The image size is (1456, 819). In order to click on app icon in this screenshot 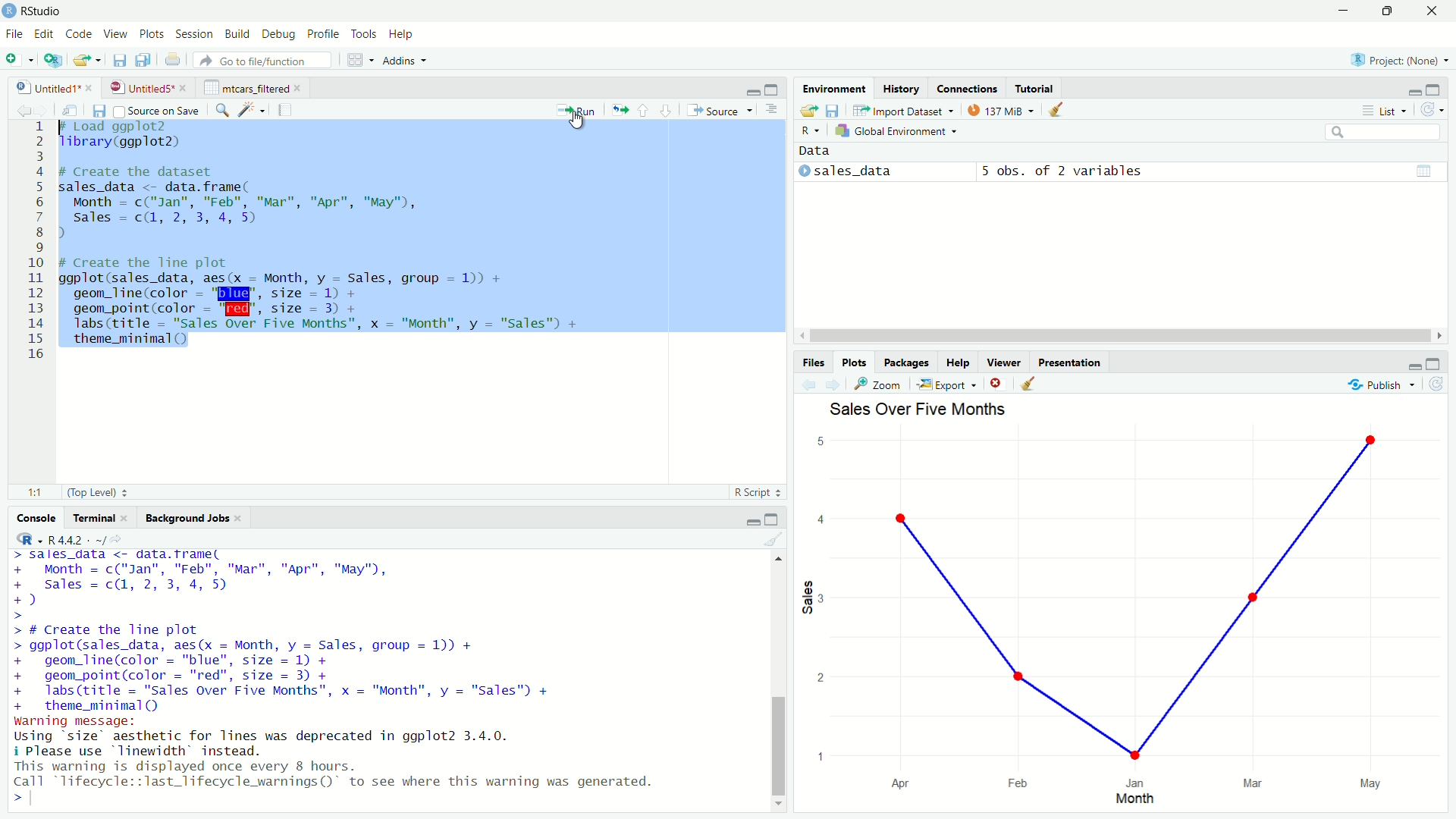, I will do `click(9, 11)`.